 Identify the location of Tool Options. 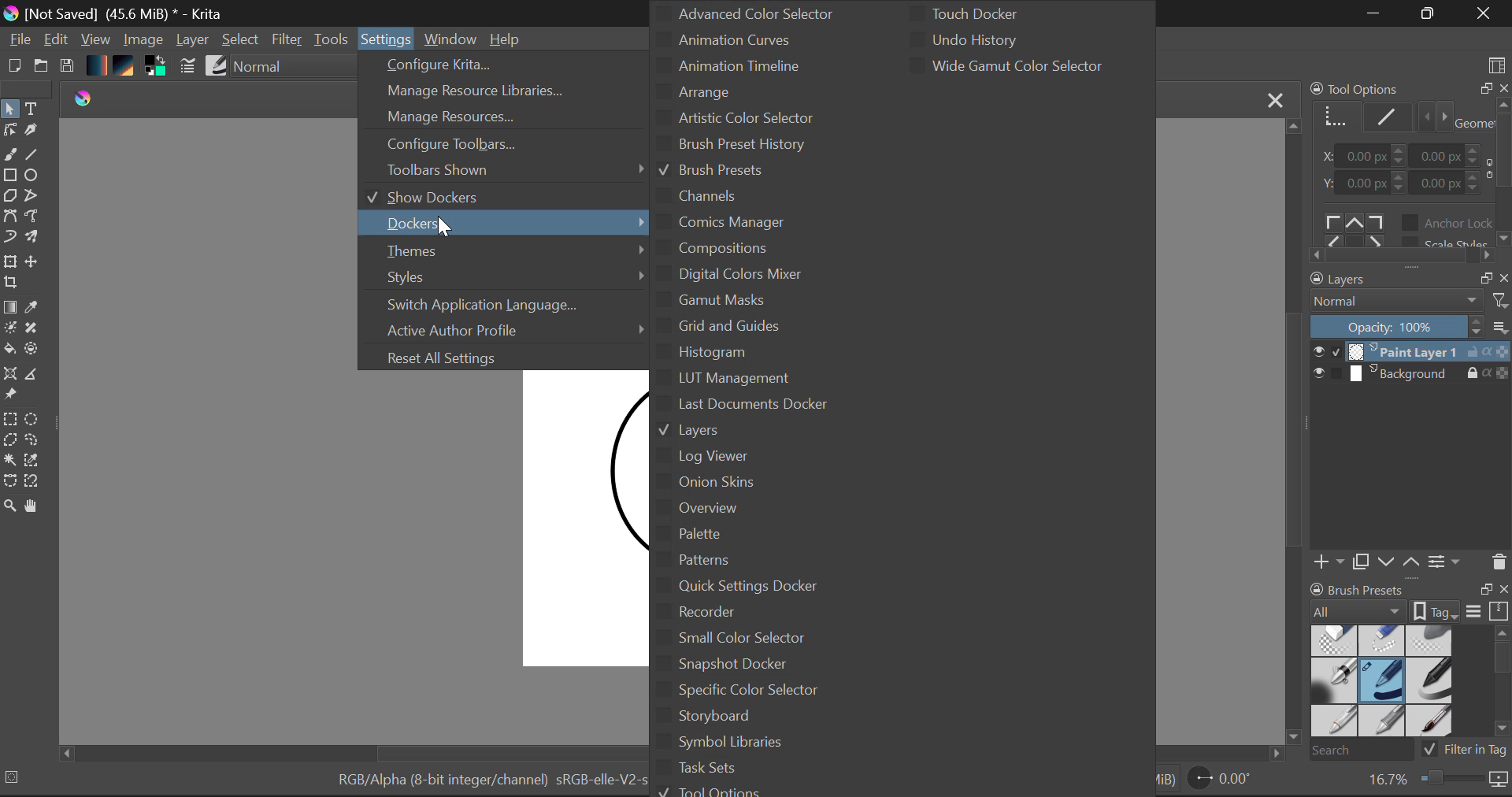
(1408, 173).